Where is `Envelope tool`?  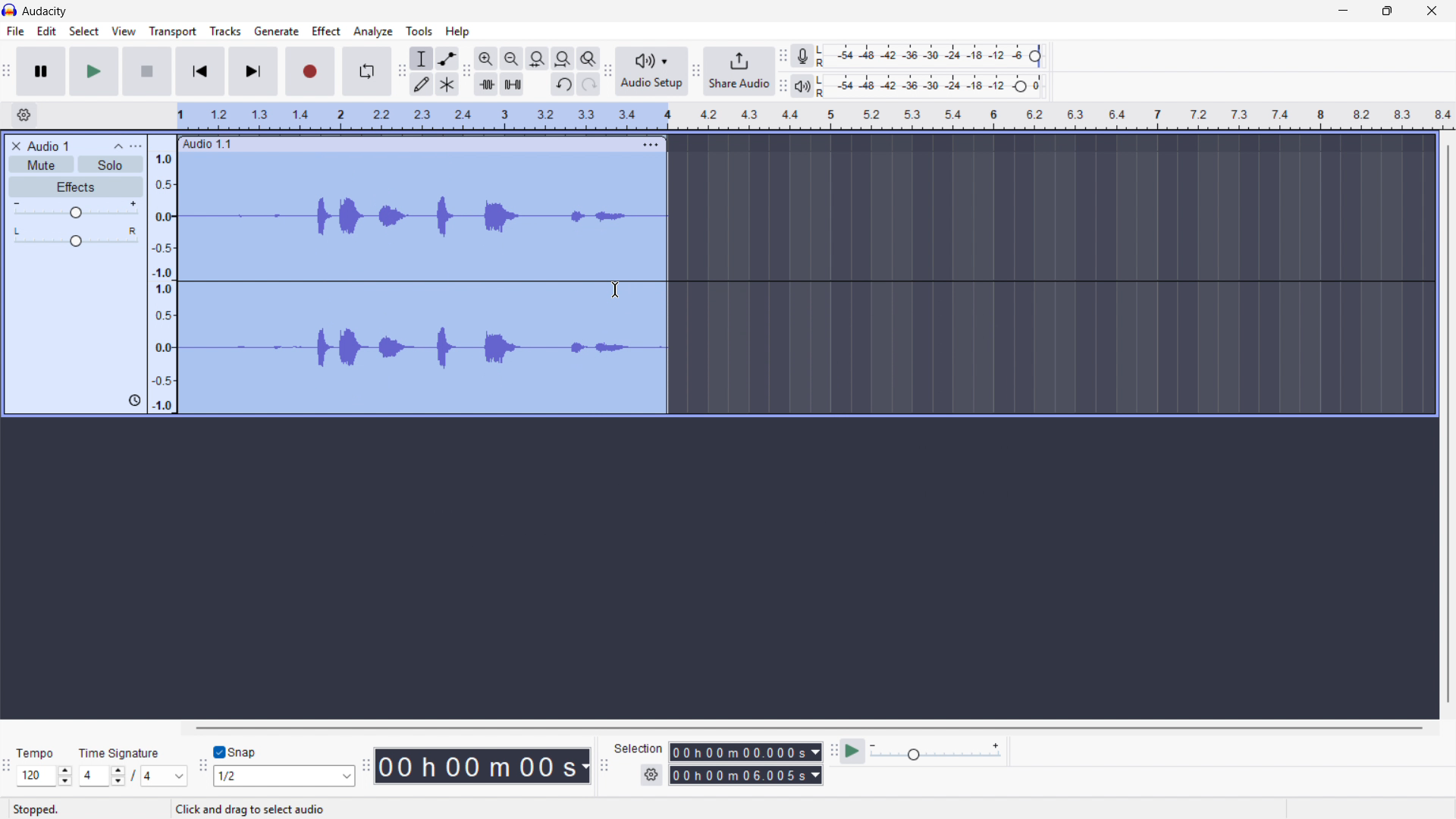 Envelope tool is located at coordinates (447, 58).